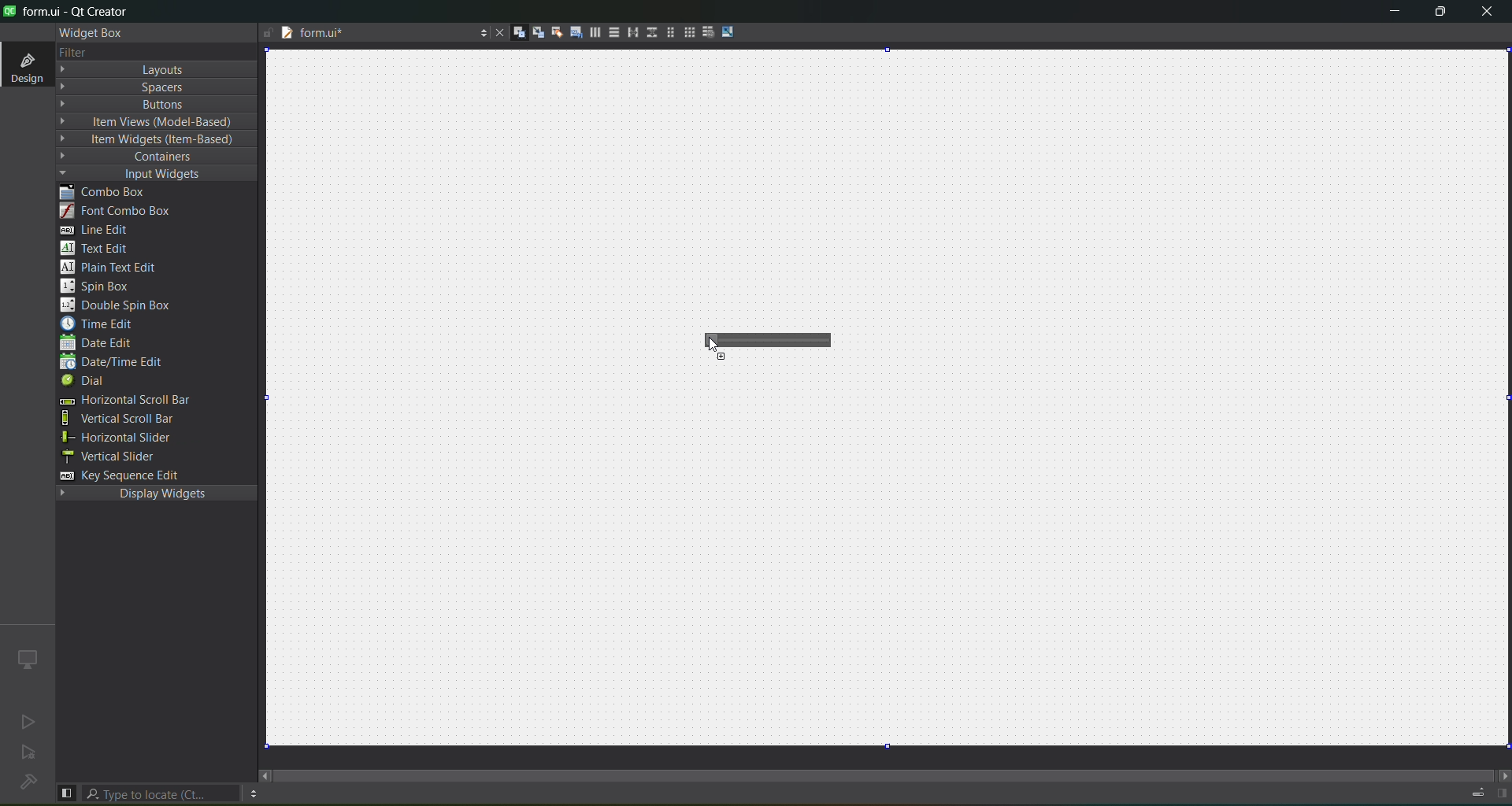  I want to click on no active project, so click(28, 721).